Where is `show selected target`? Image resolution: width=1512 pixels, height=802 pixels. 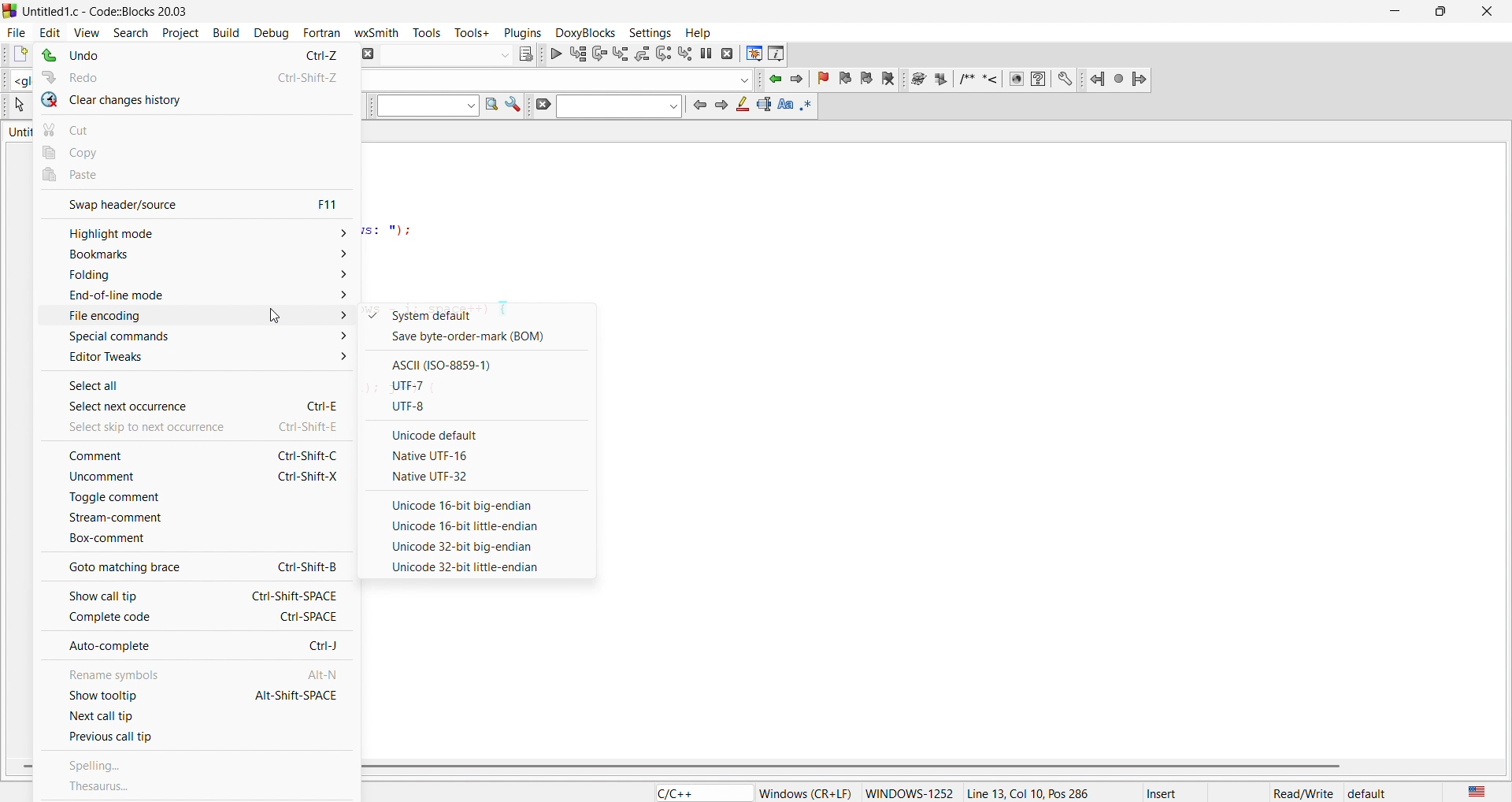 show selected target is located at coordinates (527, 54).